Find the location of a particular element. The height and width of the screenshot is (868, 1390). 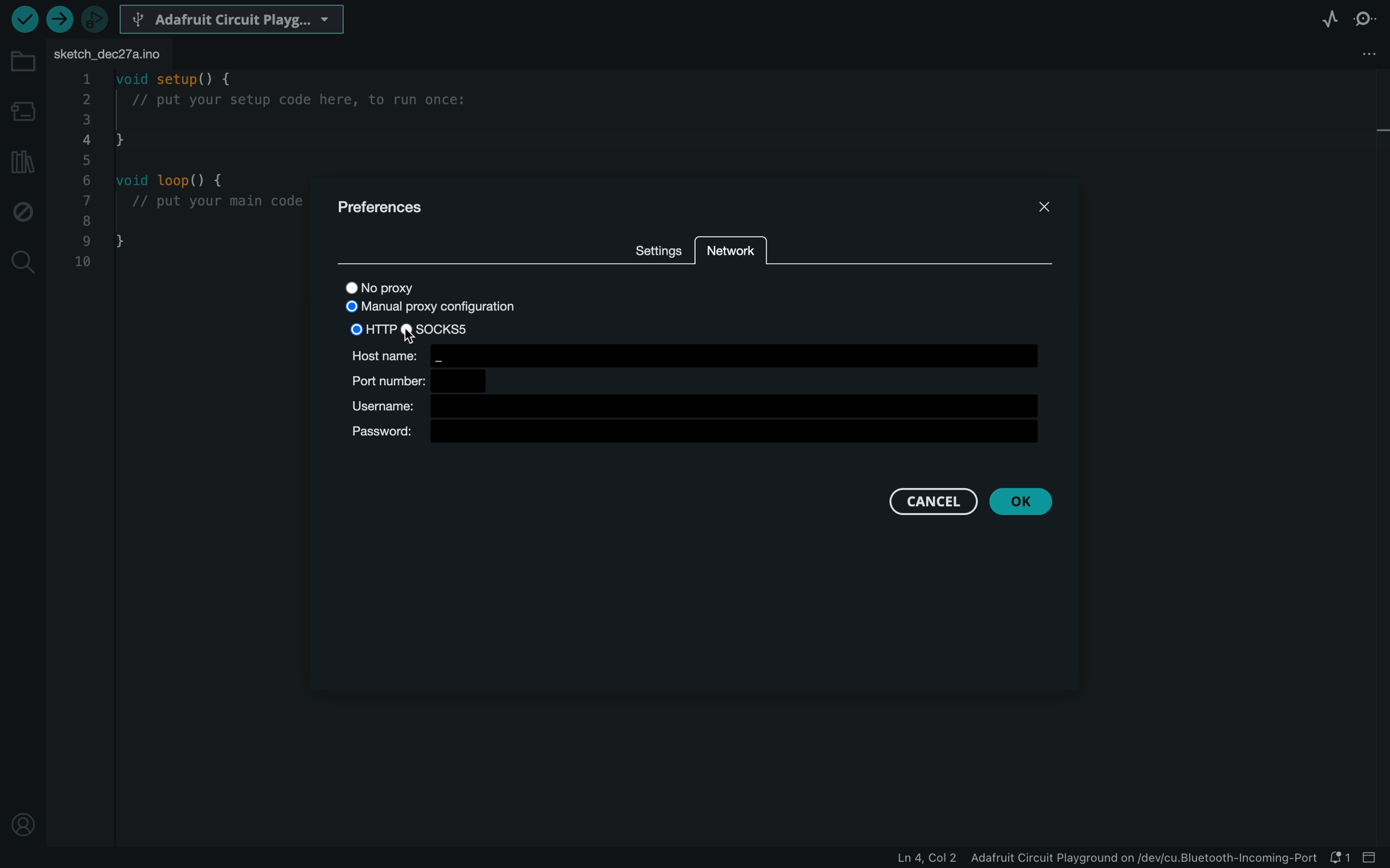

cursor is located at coordinates (410, 335).